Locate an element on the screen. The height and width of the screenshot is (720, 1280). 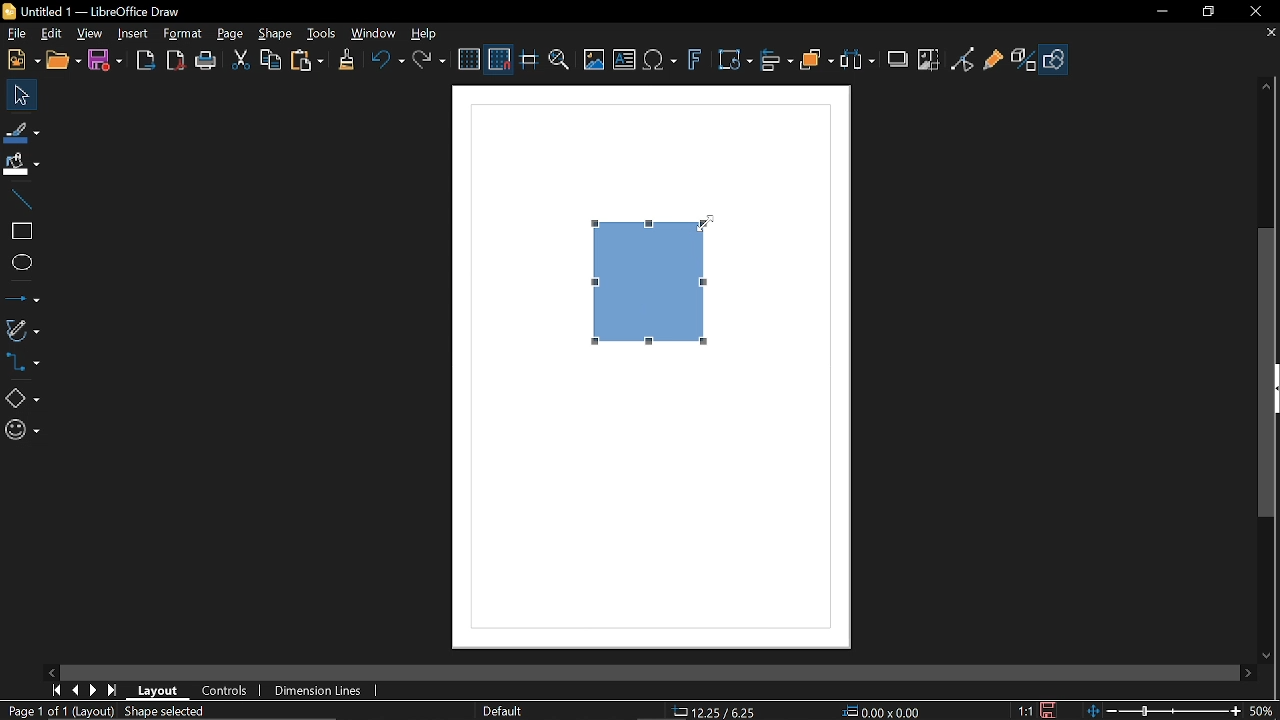
Cut is located at coordinates (240, 60).